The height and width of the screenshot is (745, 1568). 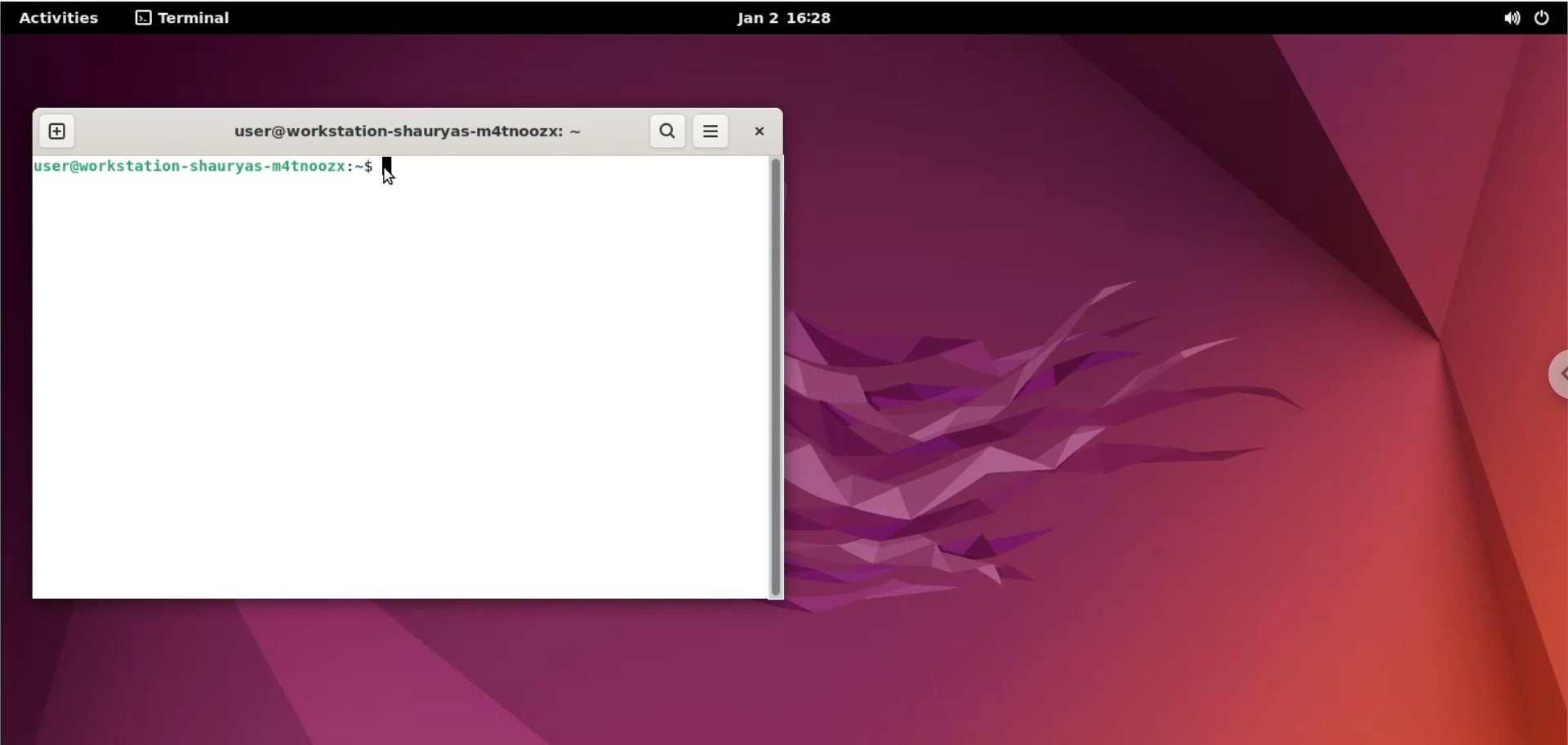 What do you see at coordinates (390, 173) in the screenshot?
I see `cursor` at bounding box center [390, 173].